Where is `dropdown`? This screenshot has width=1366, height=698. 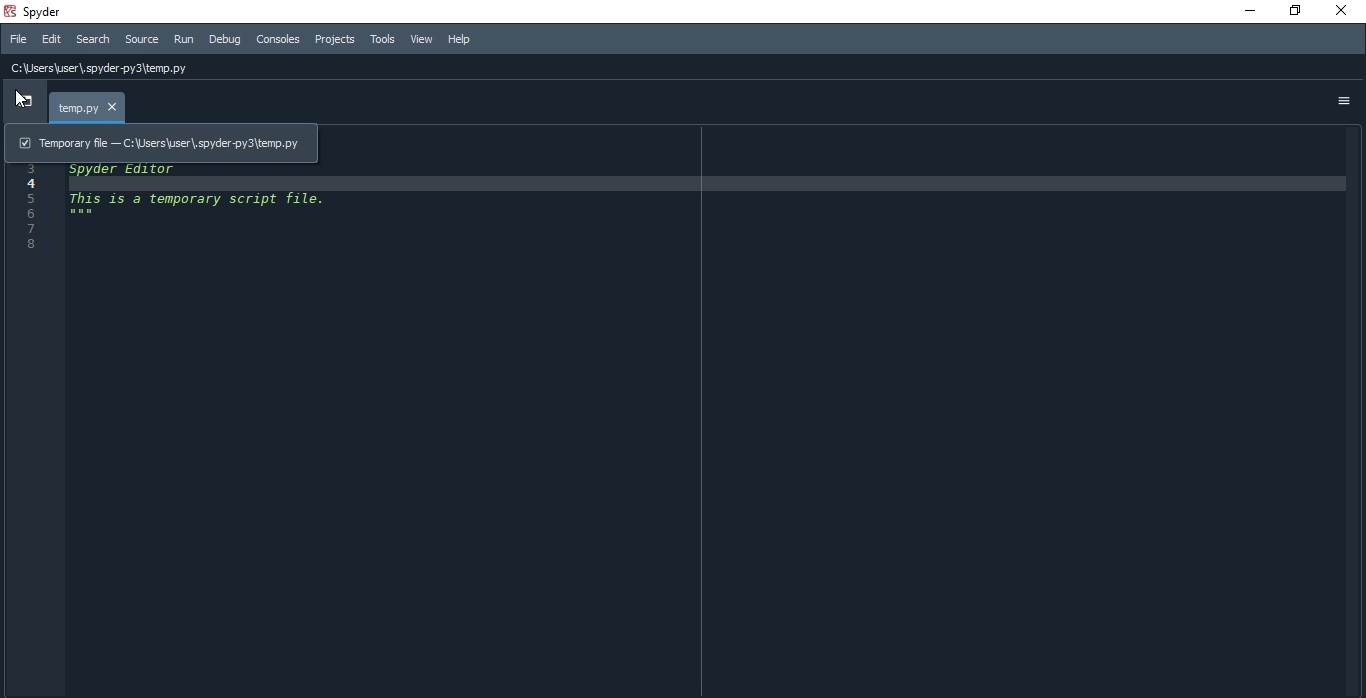
dropdown is located at coordinates (24, 101).